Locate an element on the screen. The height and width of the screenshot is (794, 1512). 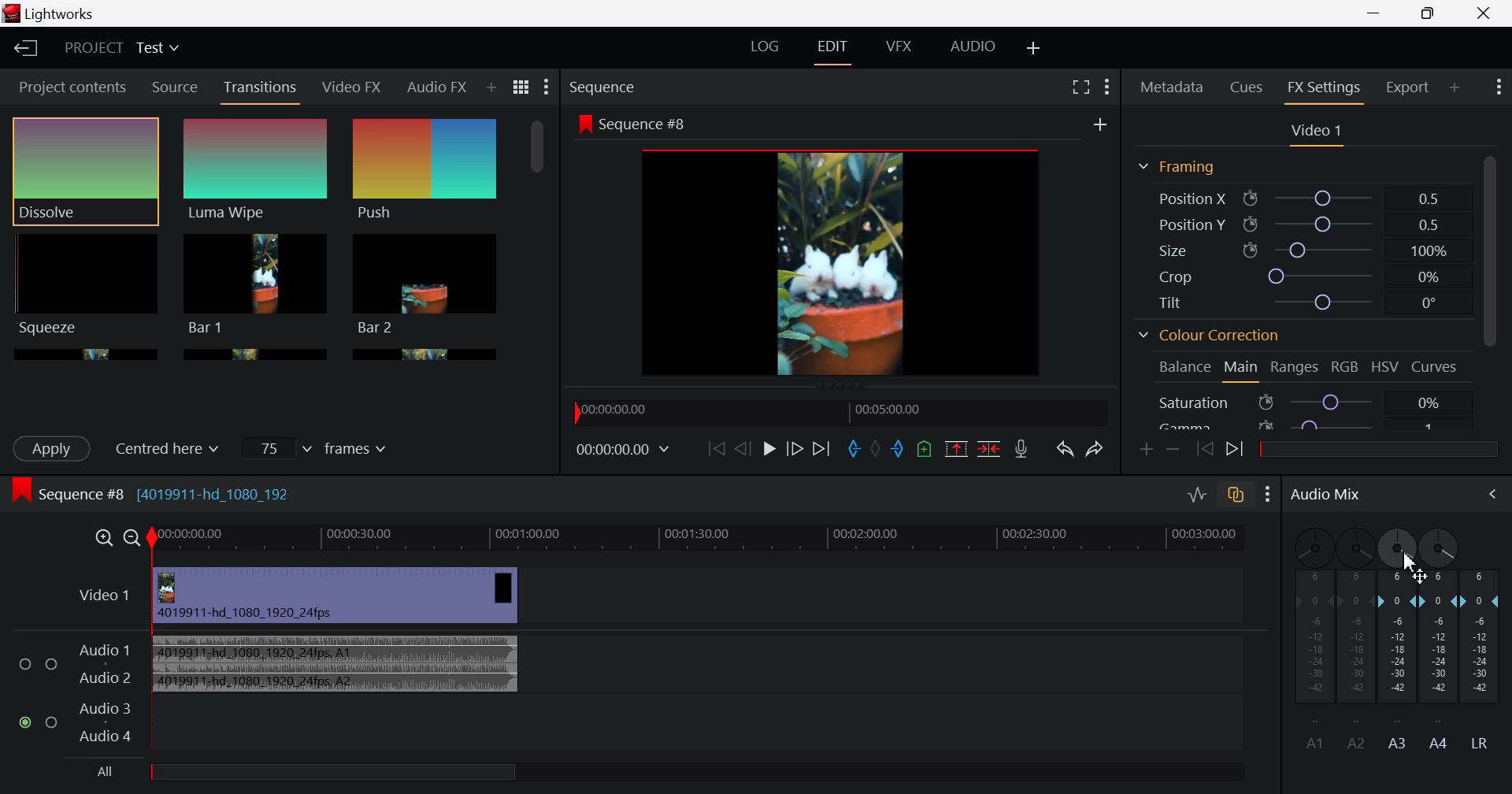
Bar 1 is located at coordinates (256, 284).